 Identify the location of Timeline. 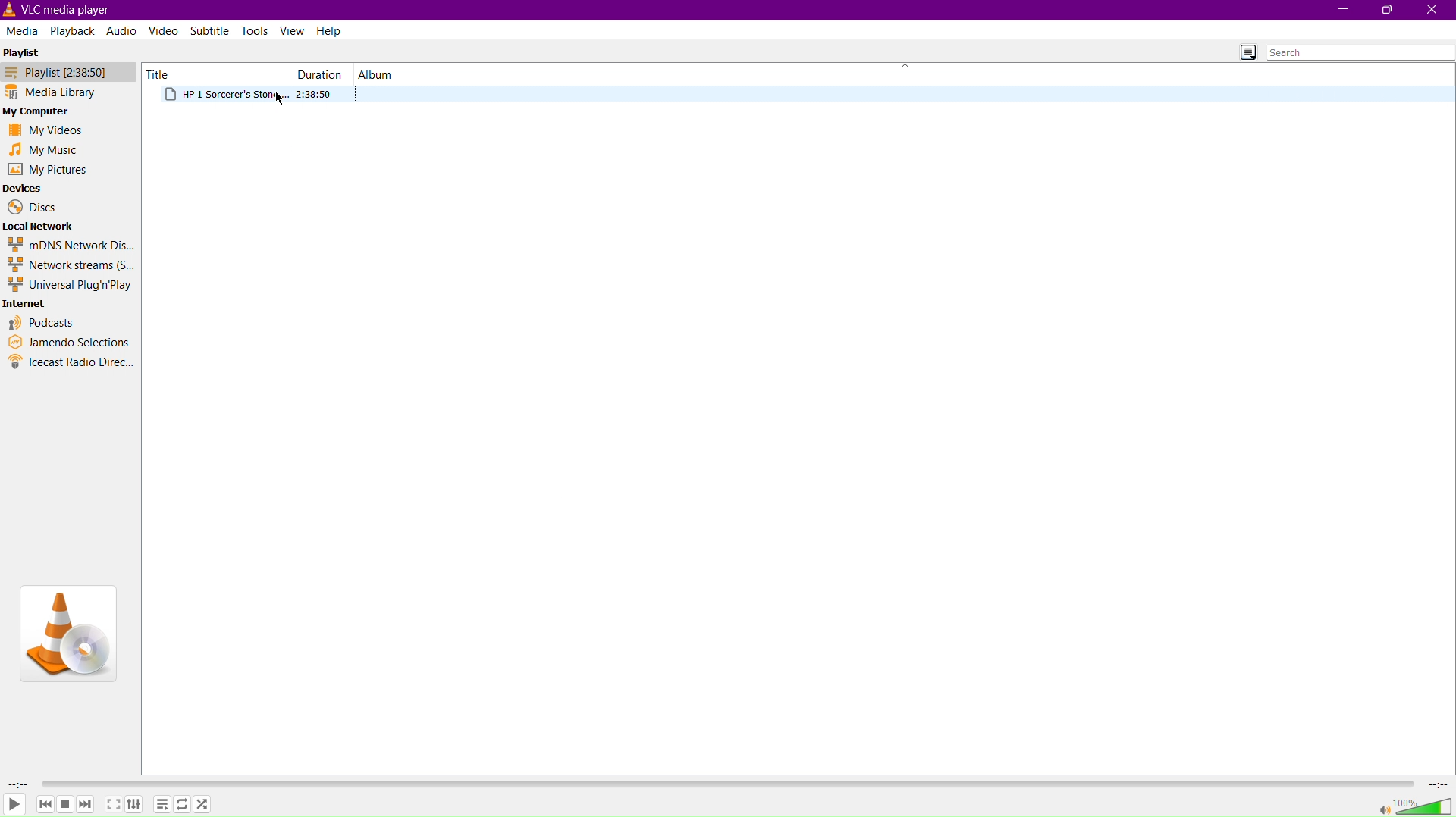
(726, 784).